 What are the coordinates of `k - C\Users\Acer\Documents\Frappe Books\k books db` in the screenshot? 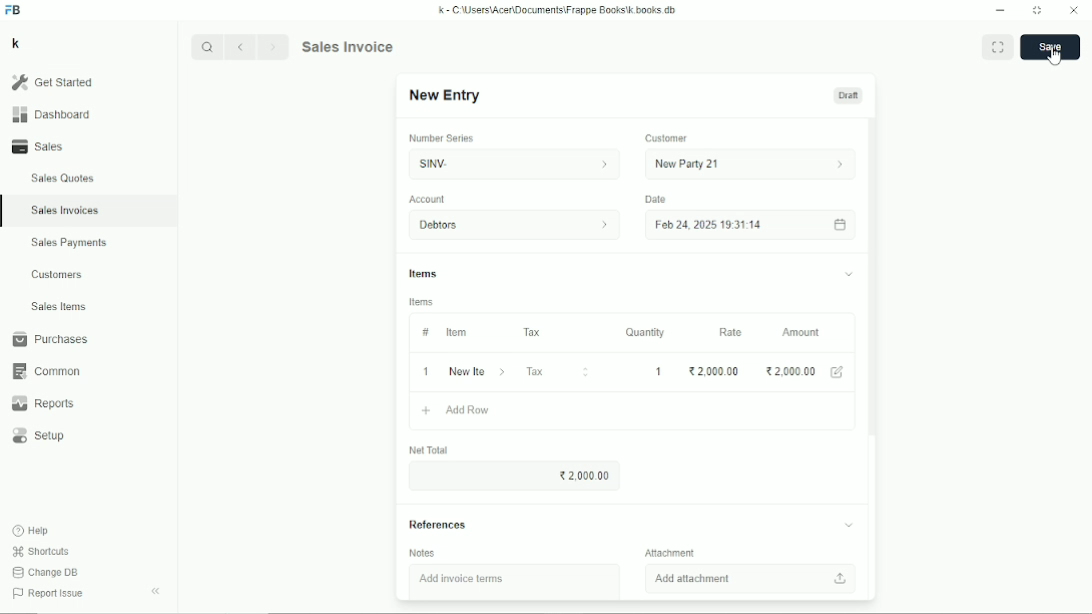 It's located at (559, 9).